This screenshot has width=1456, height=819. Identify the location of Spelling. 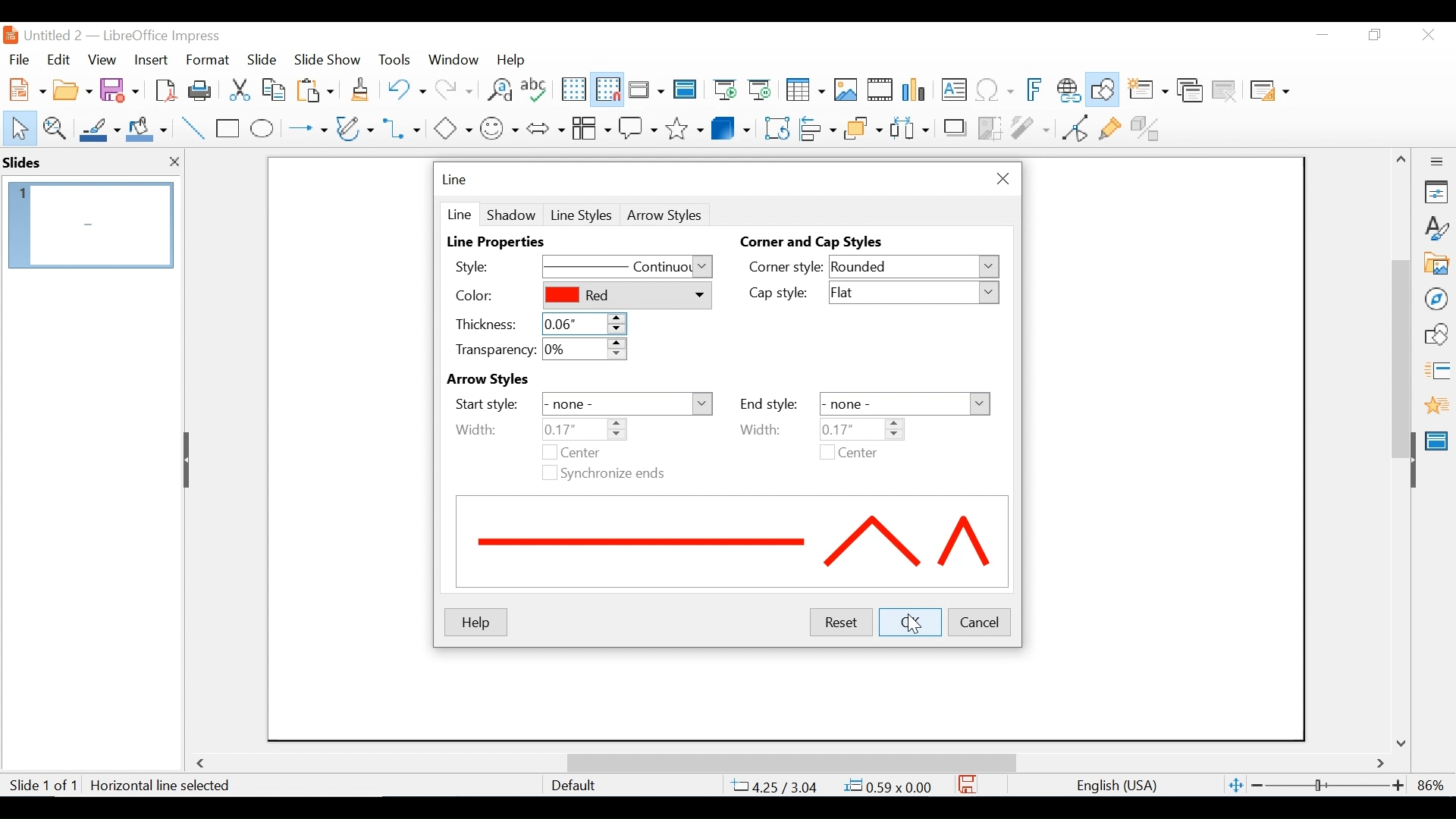
(536, 89).